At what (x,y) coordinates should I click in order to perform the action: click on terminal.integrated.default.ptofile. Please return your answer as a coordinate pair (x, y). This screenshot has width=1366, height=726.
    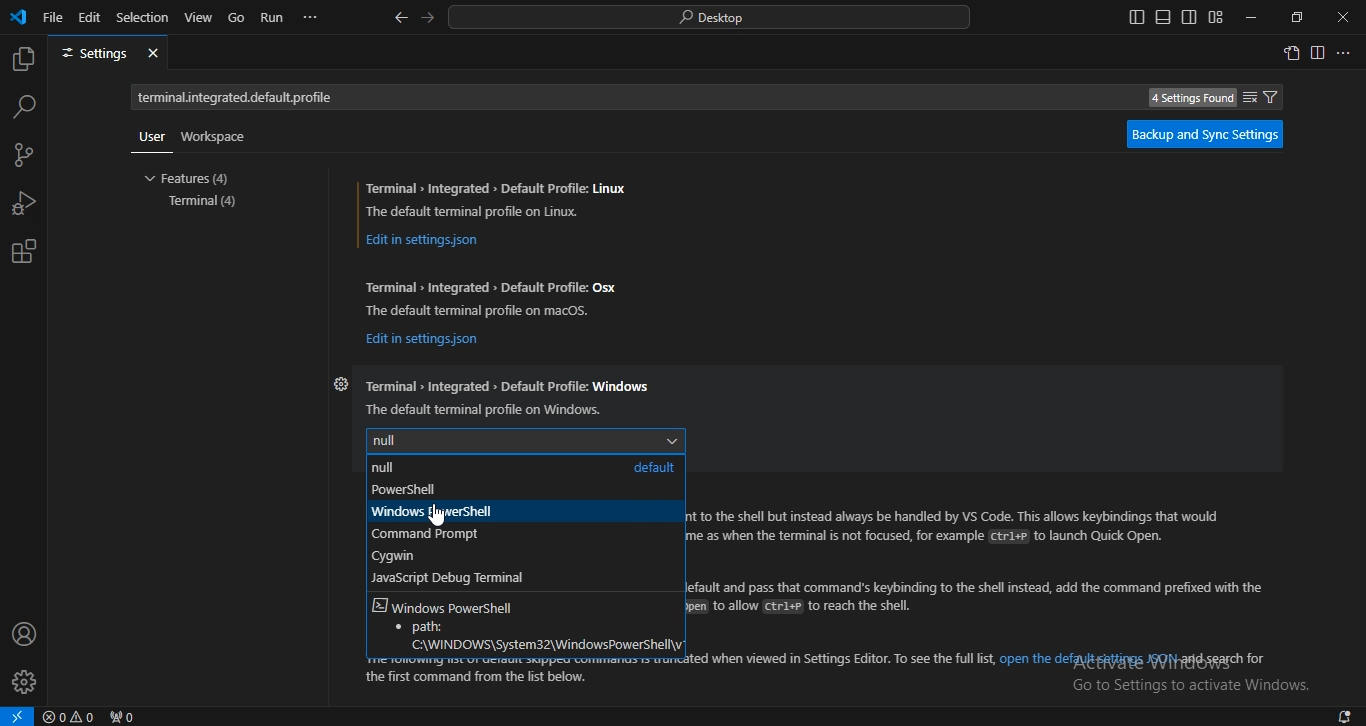
    Looking at the image, I should click on (236, 97).